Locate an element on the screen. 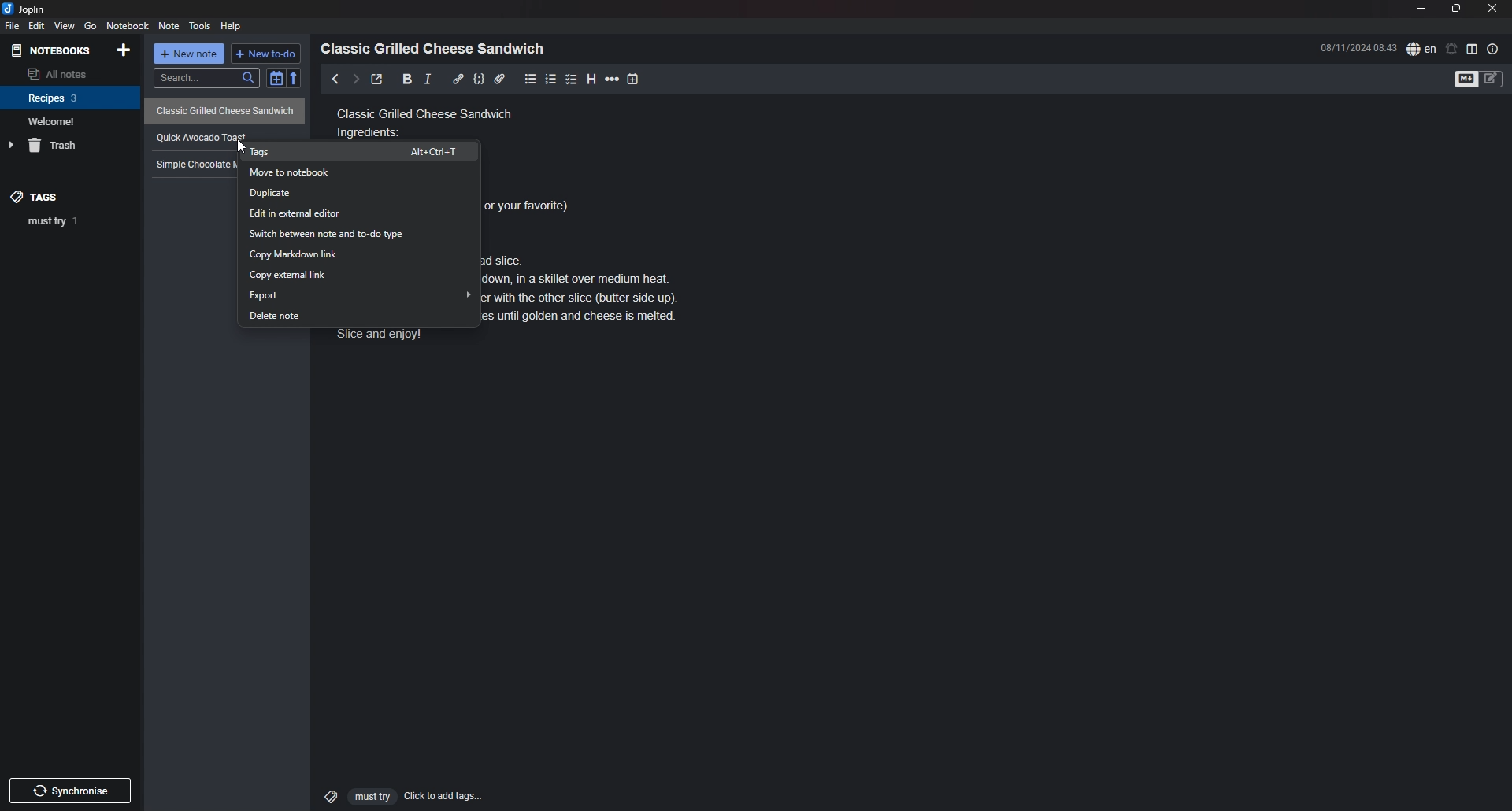  italic is located at coordinates (428, 79).